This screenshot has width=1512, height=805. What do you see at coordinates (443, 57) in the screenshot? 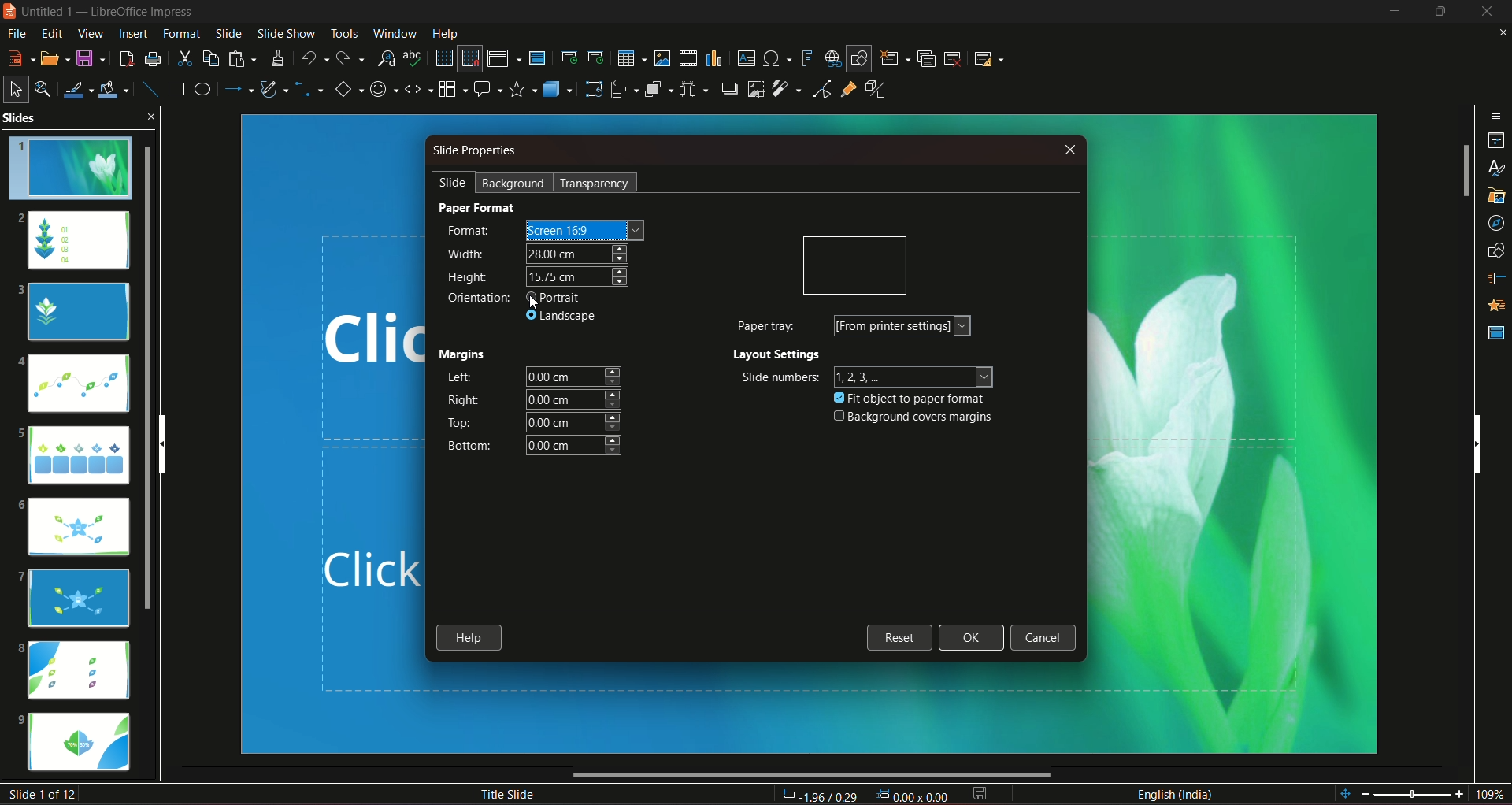
I see `display grid` at bounding box center [443, 57].